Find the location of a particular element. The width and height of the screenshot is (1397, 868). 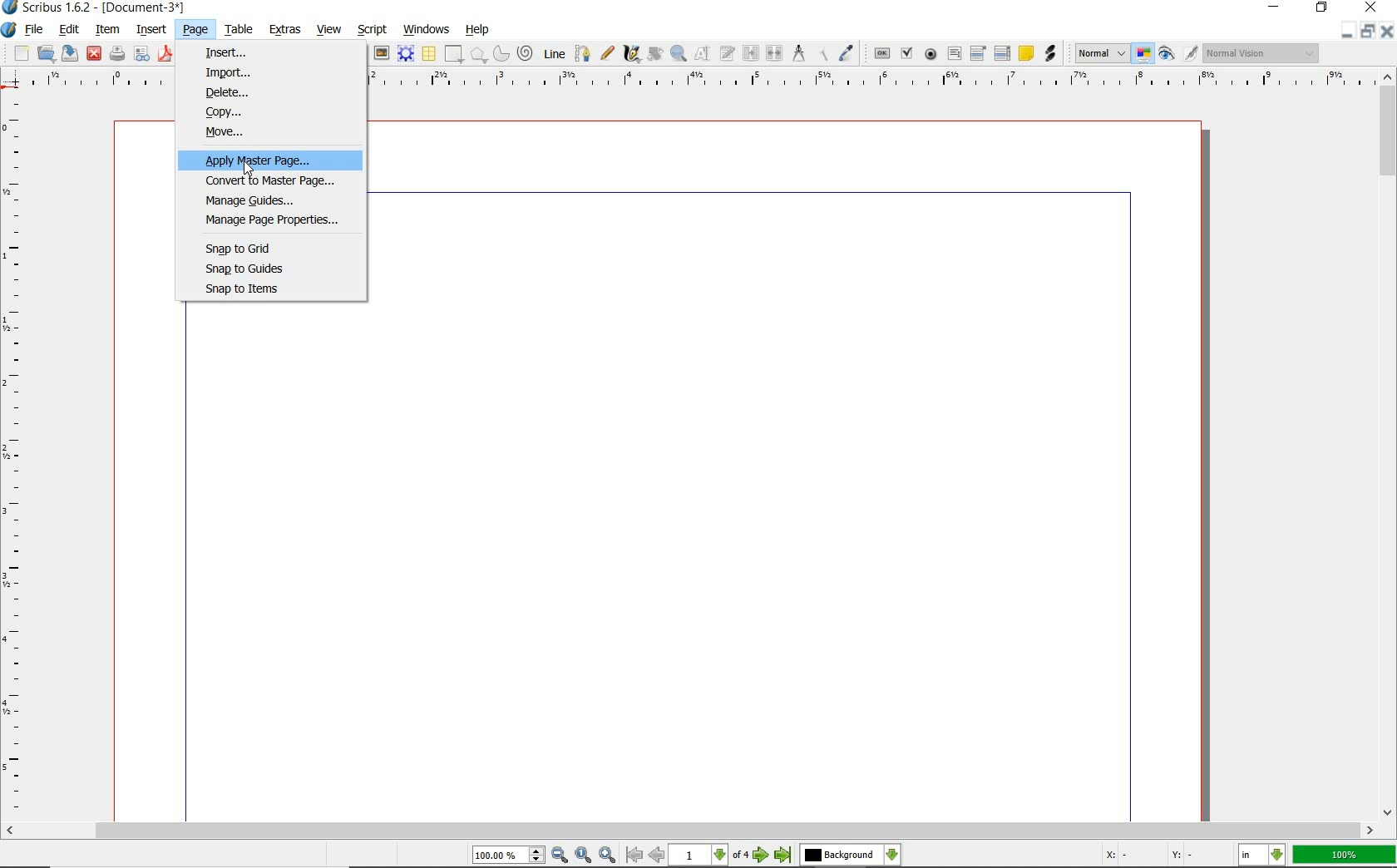

restore is located at coordinates (1321, 10).